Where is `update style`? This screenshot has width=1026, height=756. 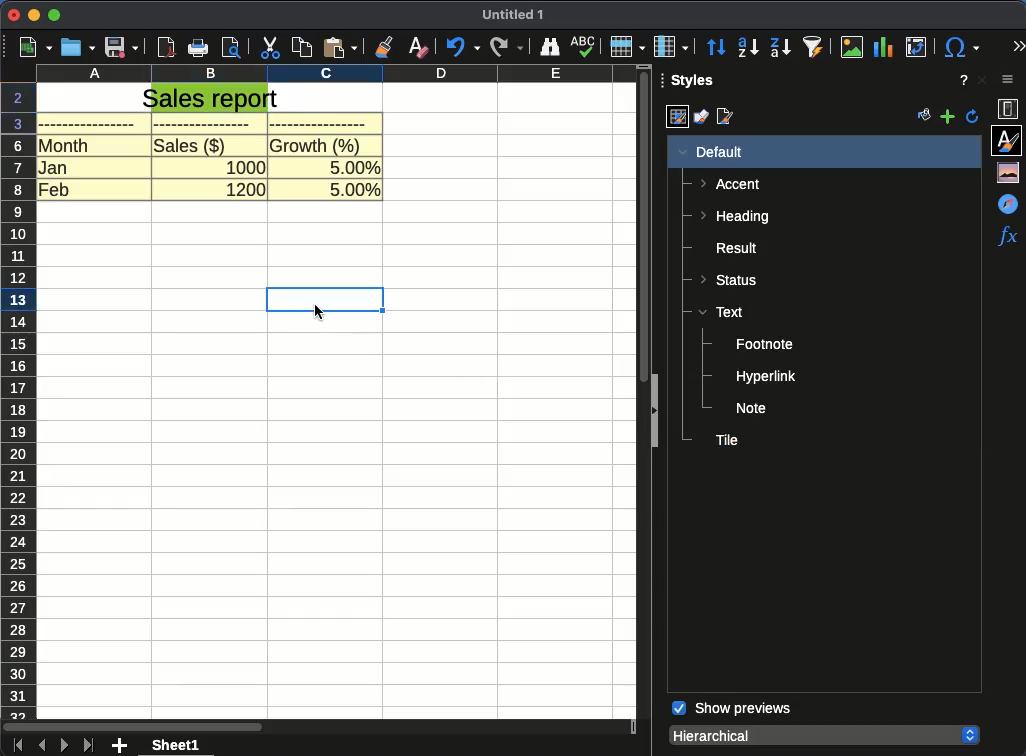 update style is located at coordinates (973, 116).